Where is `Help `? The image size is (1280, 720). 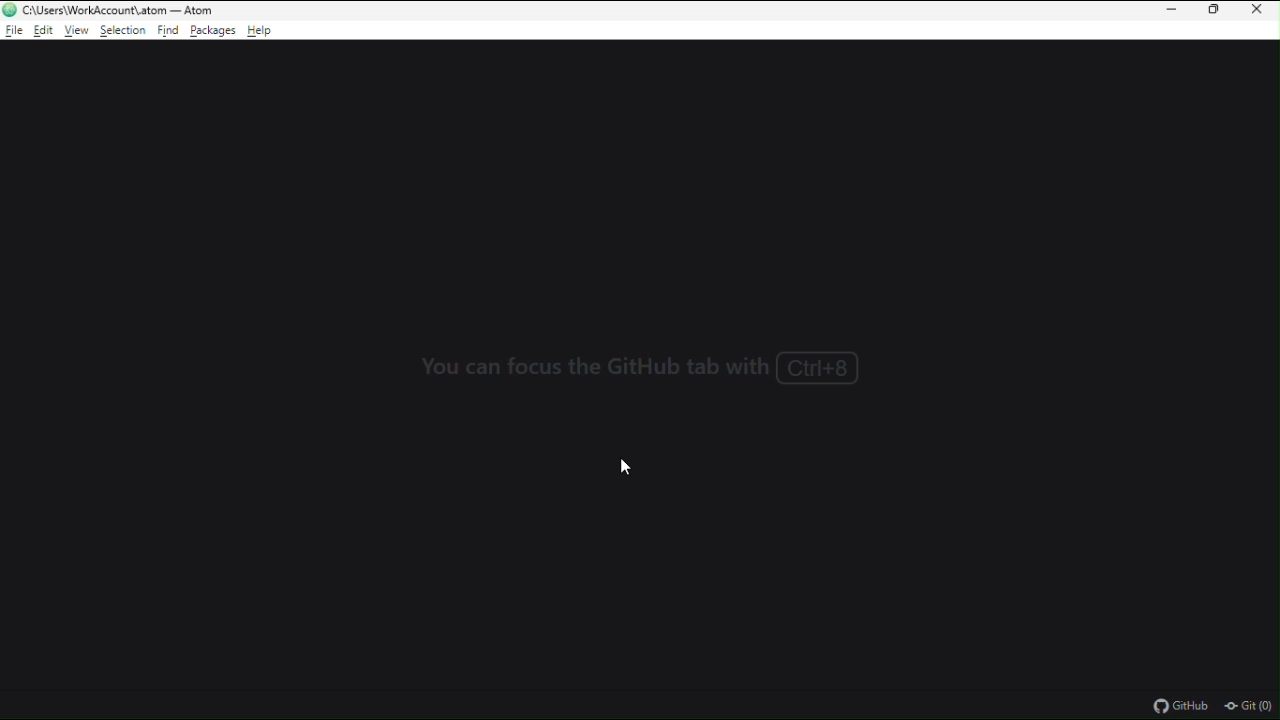 Help  is located at coordinates (268, 30).